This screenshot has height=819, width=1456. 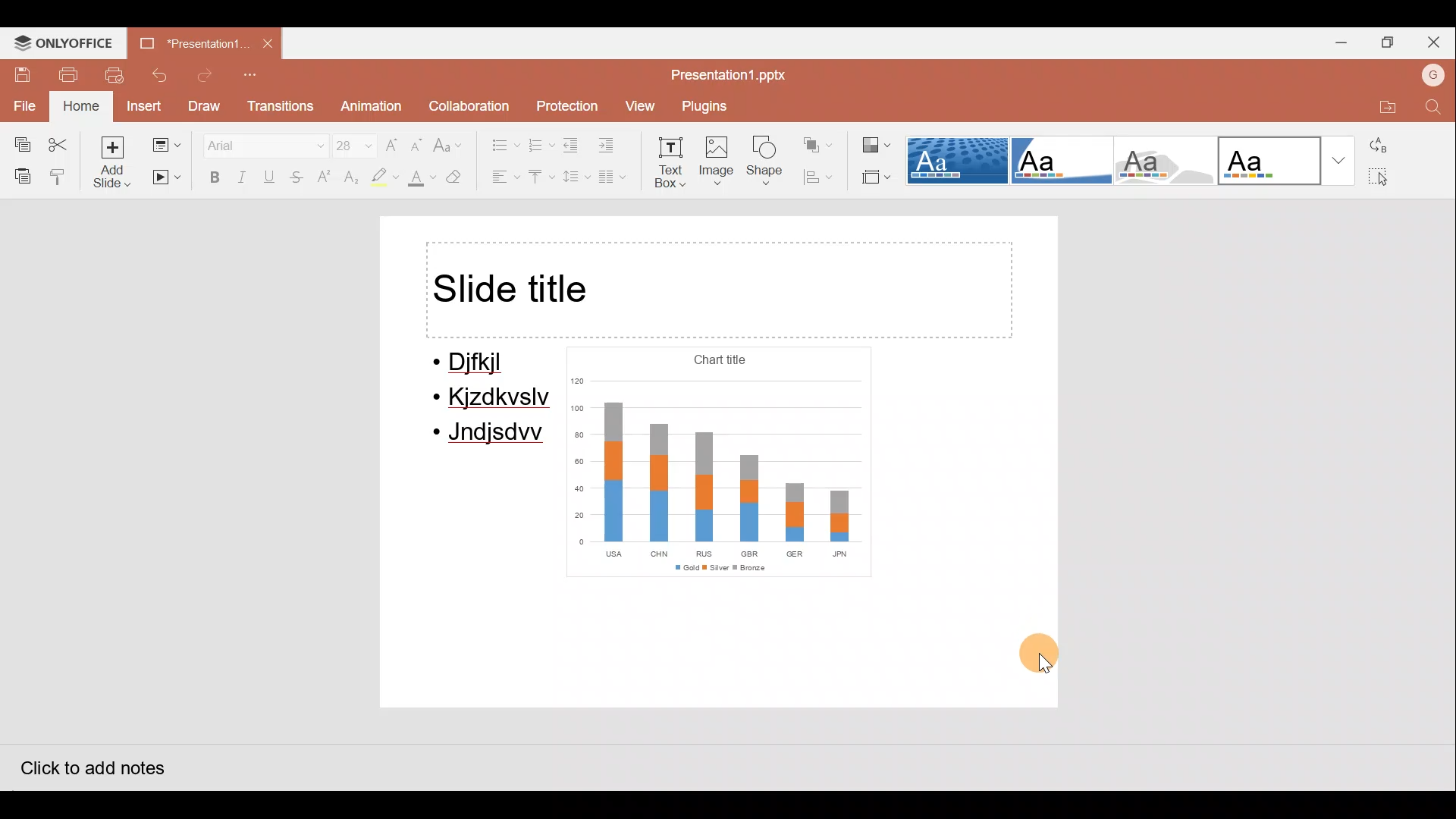 I want to click on Copy, so click(x=21, y=145).